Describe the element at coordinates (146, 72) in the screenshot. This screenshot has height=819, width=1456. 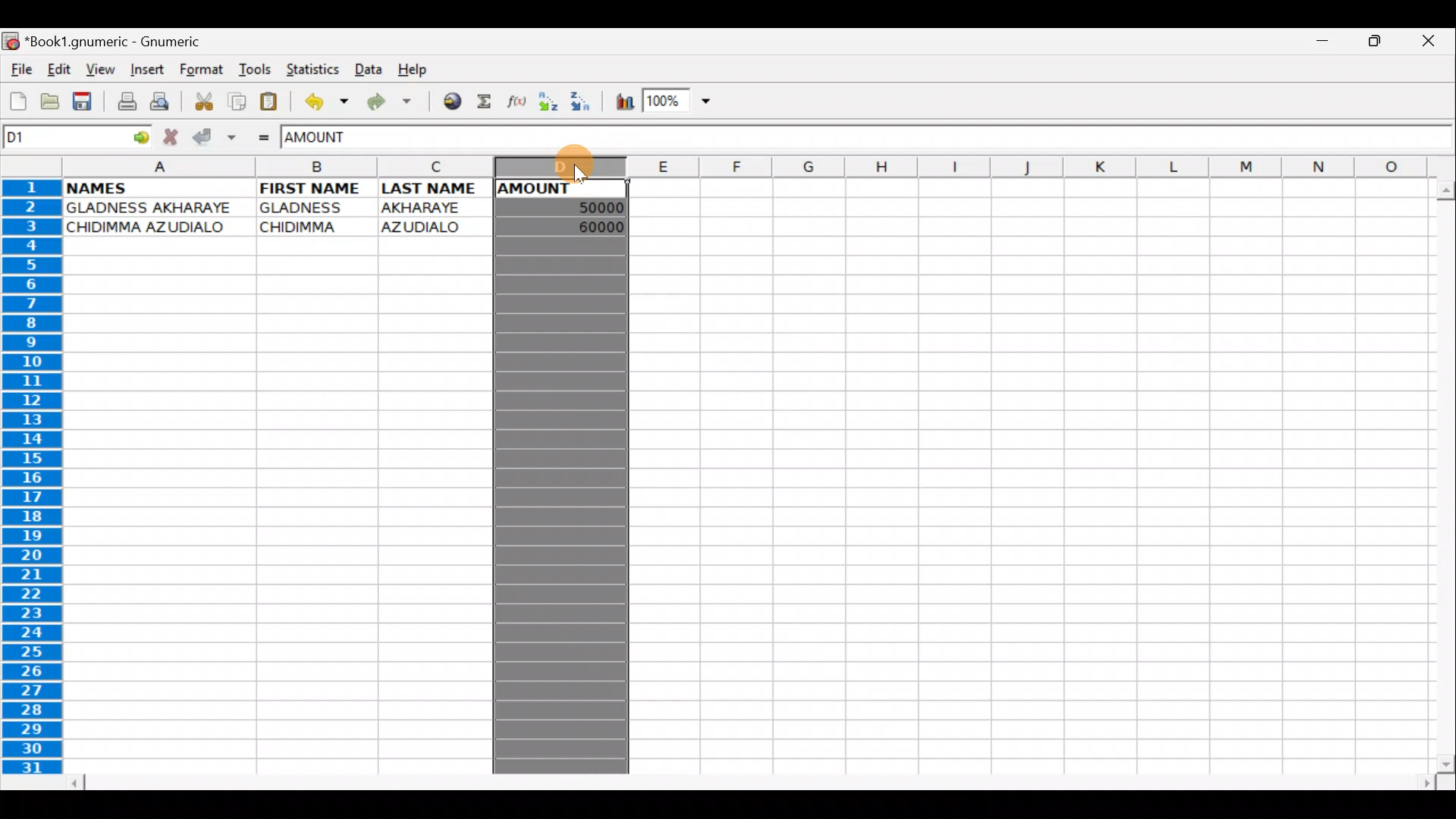
I see `Insert` at that location.